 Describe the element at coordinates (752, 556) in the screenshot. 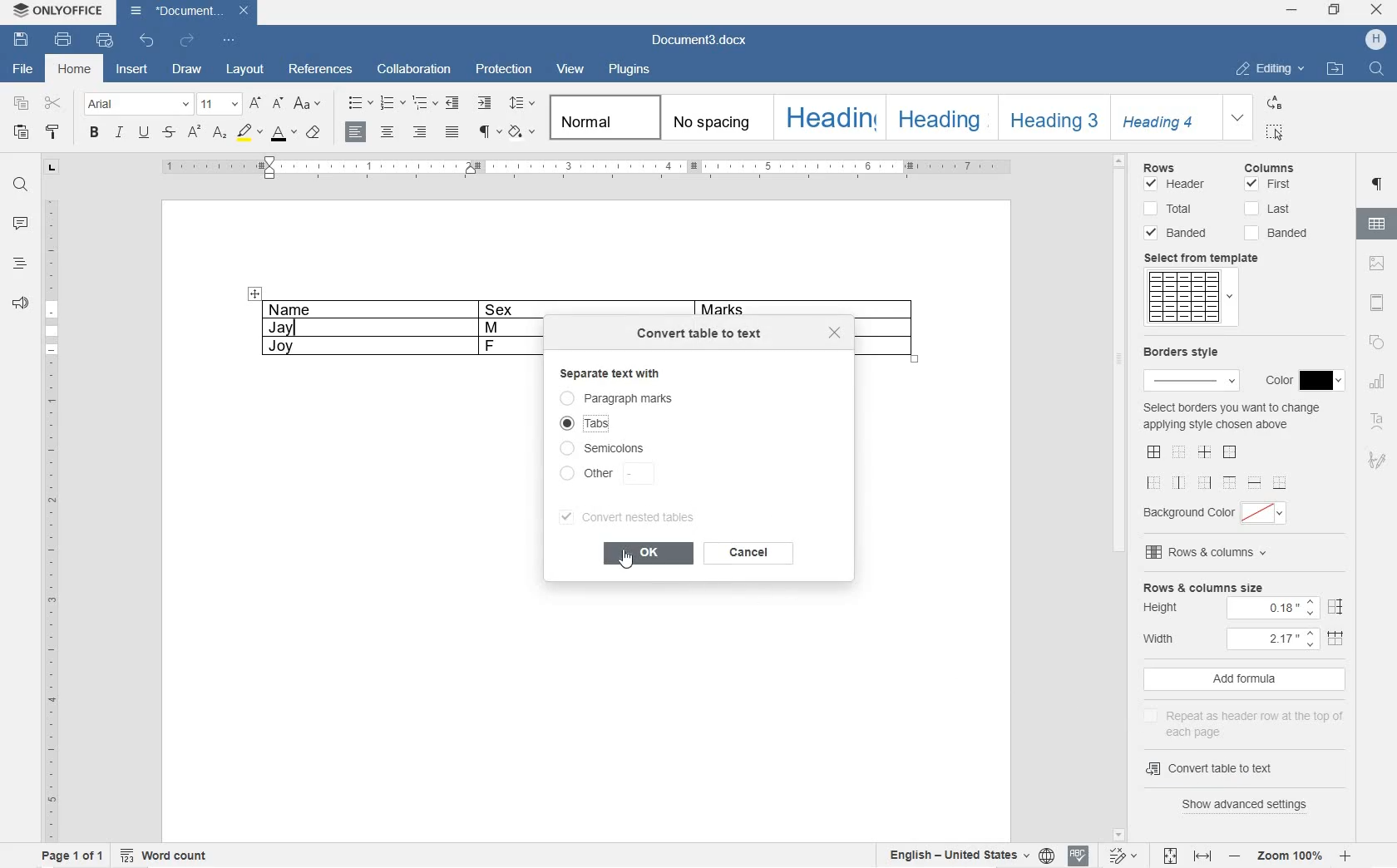

I see `cancel` at that location.